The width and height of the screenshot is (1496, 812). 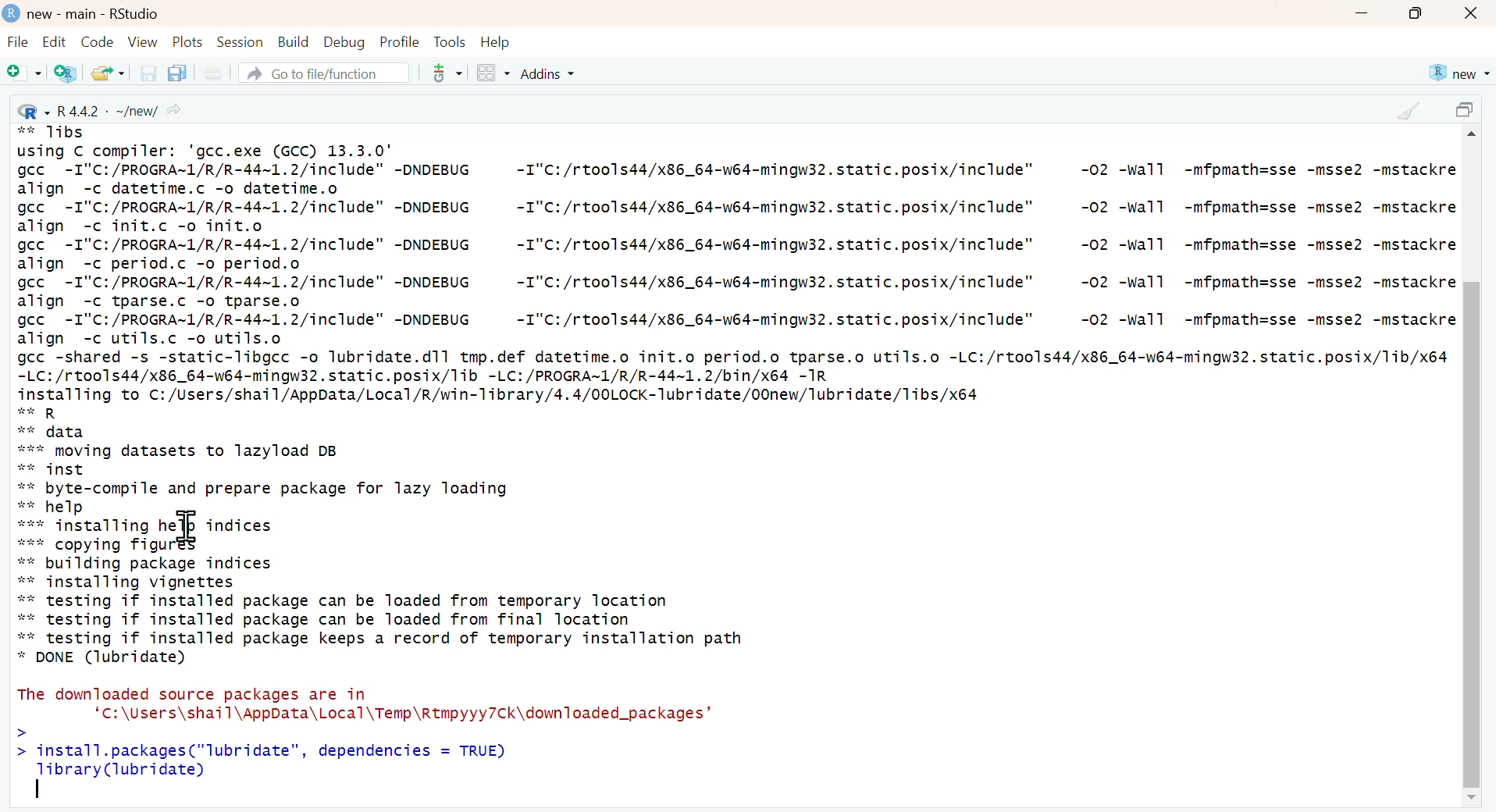 I want to click on New file, so click(x=25, y=74).